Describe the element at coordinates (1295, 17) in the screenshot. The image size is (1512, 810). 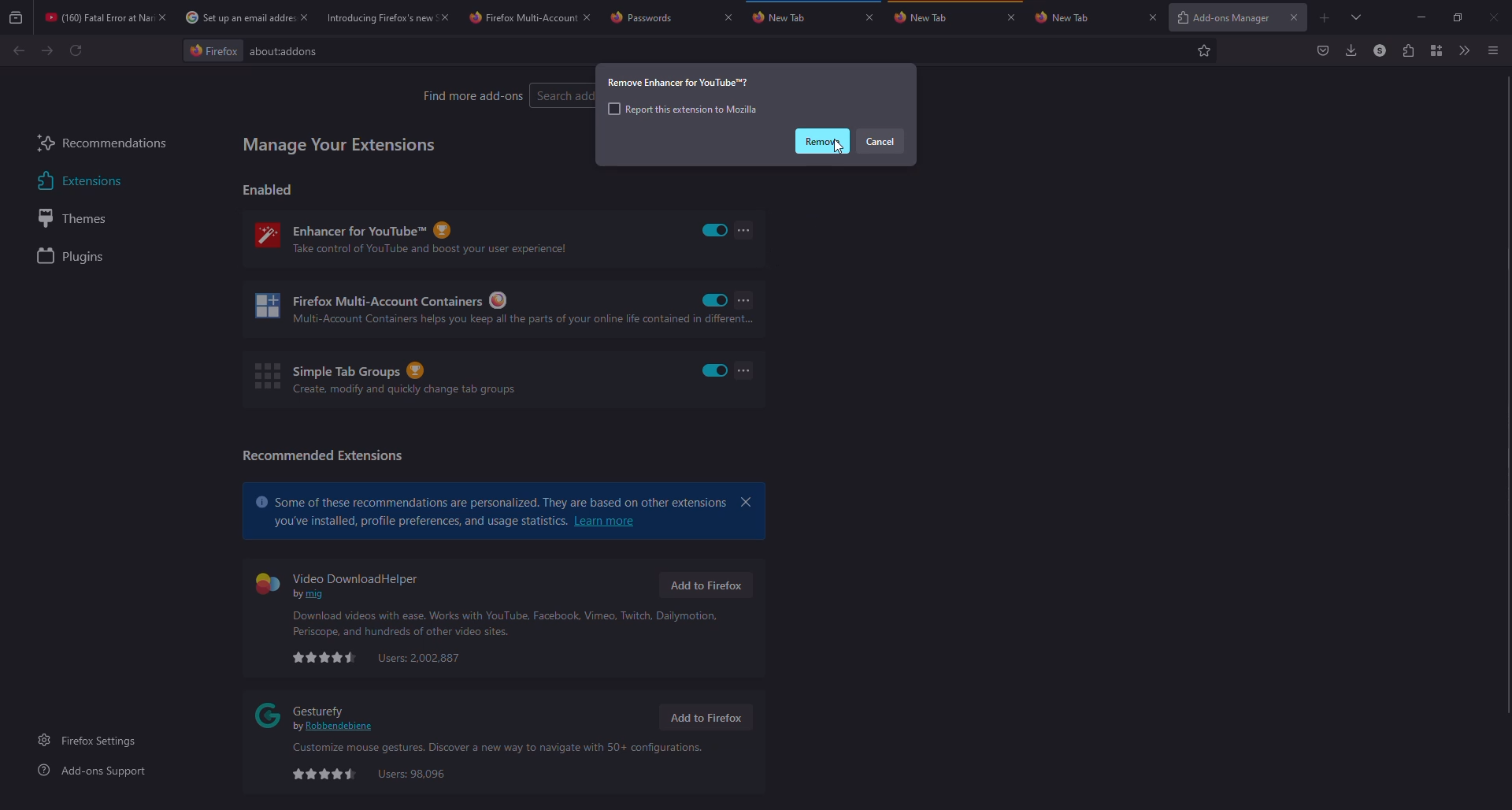
I see `close` at that location.